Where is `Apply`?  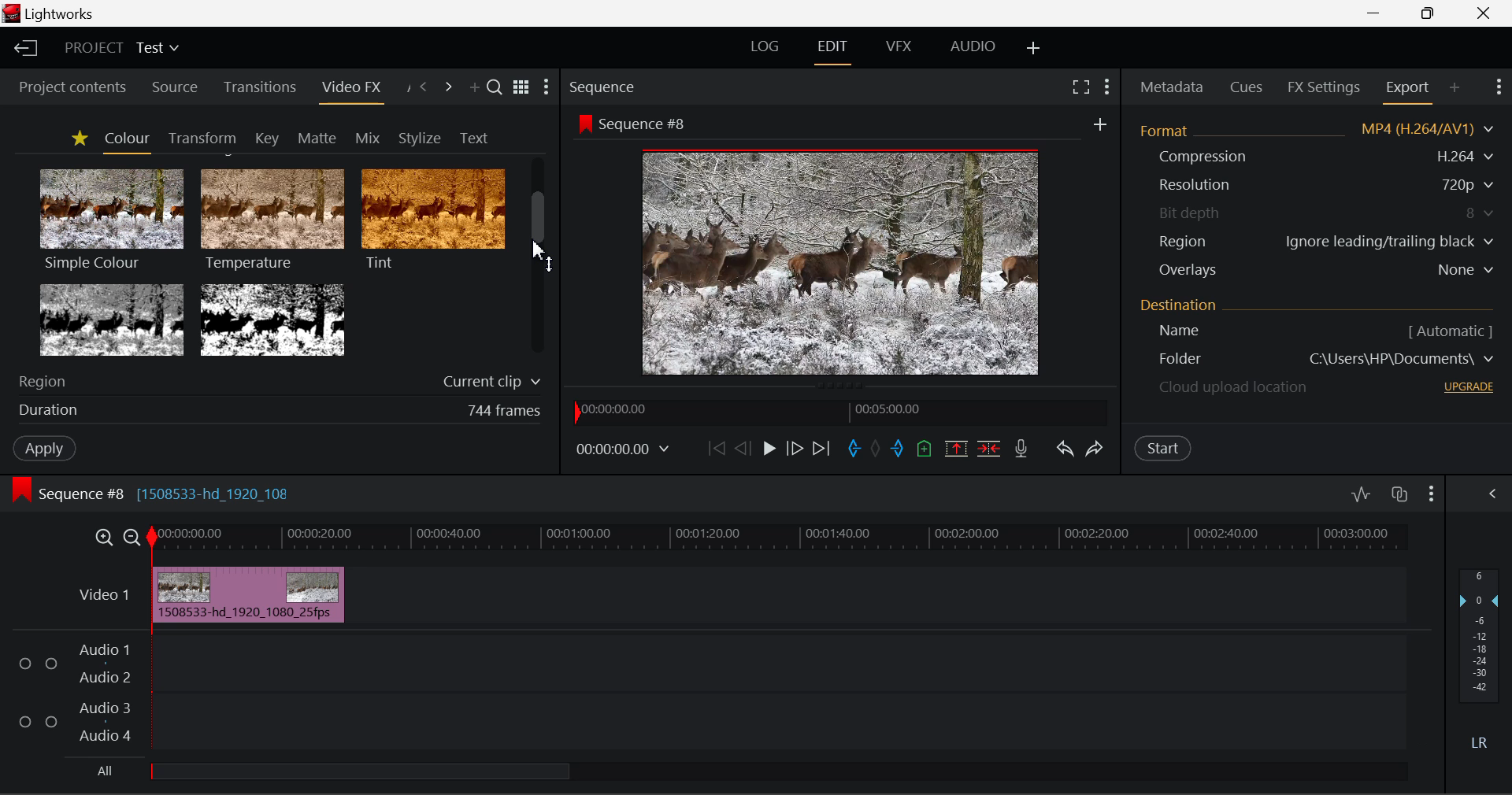
Apply is located at coordinates (36, 447).